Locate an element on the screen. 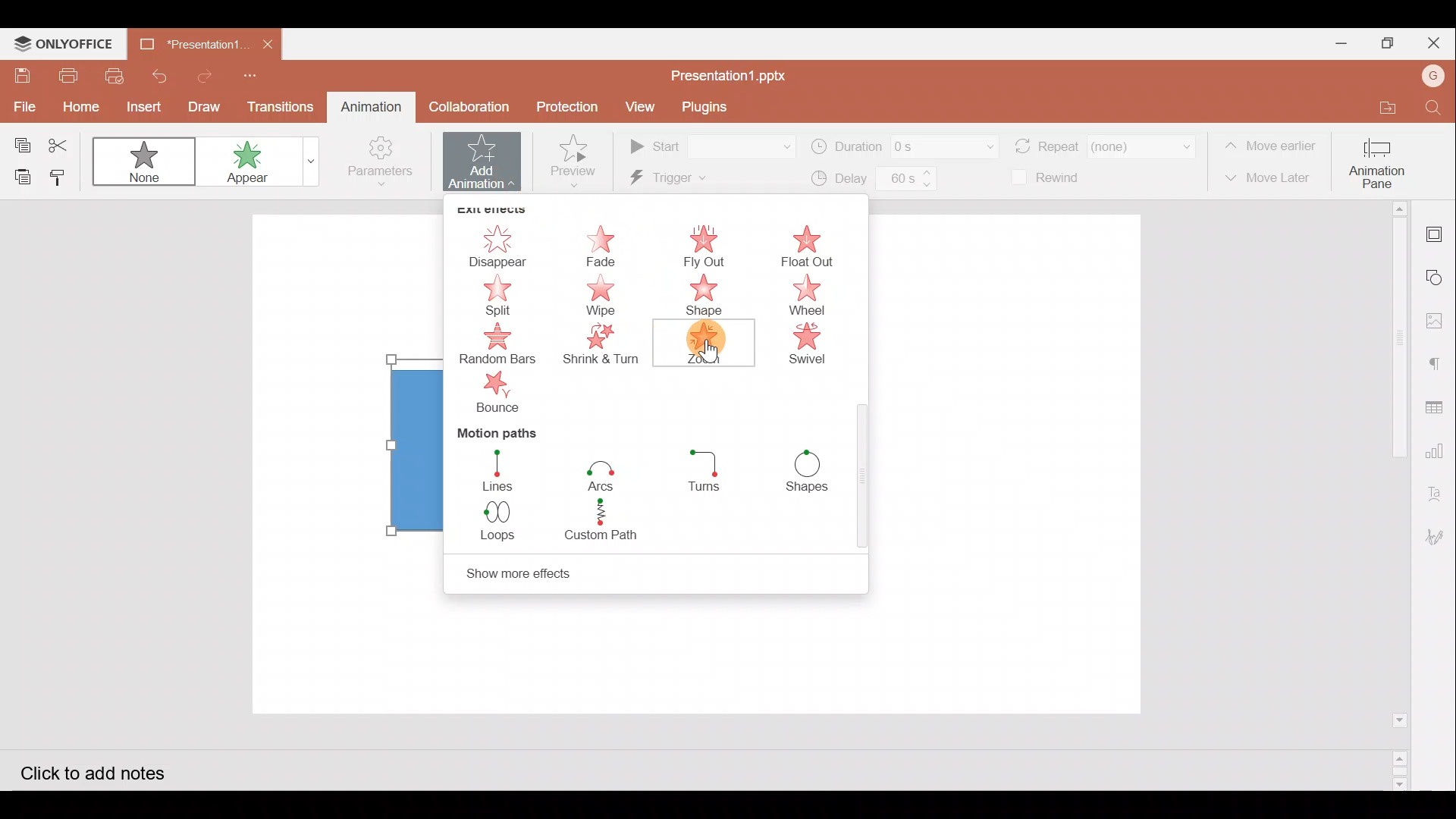 The image size is (1456, 819). Fly out is located at coordinates (704, 244).